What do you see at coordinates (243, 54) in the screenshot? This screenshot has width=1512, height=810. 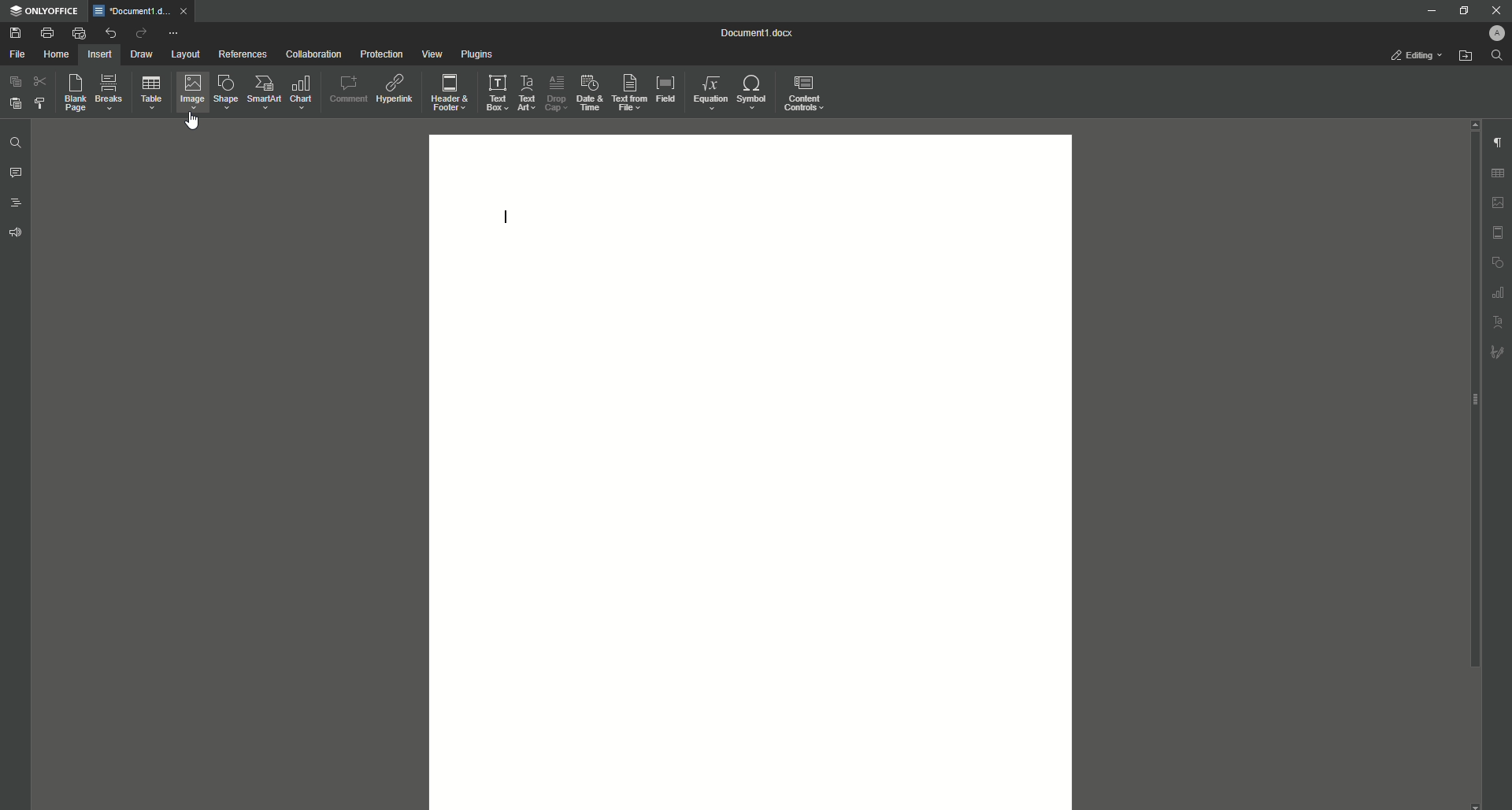 I see `References` at bounding box center [243, 54].